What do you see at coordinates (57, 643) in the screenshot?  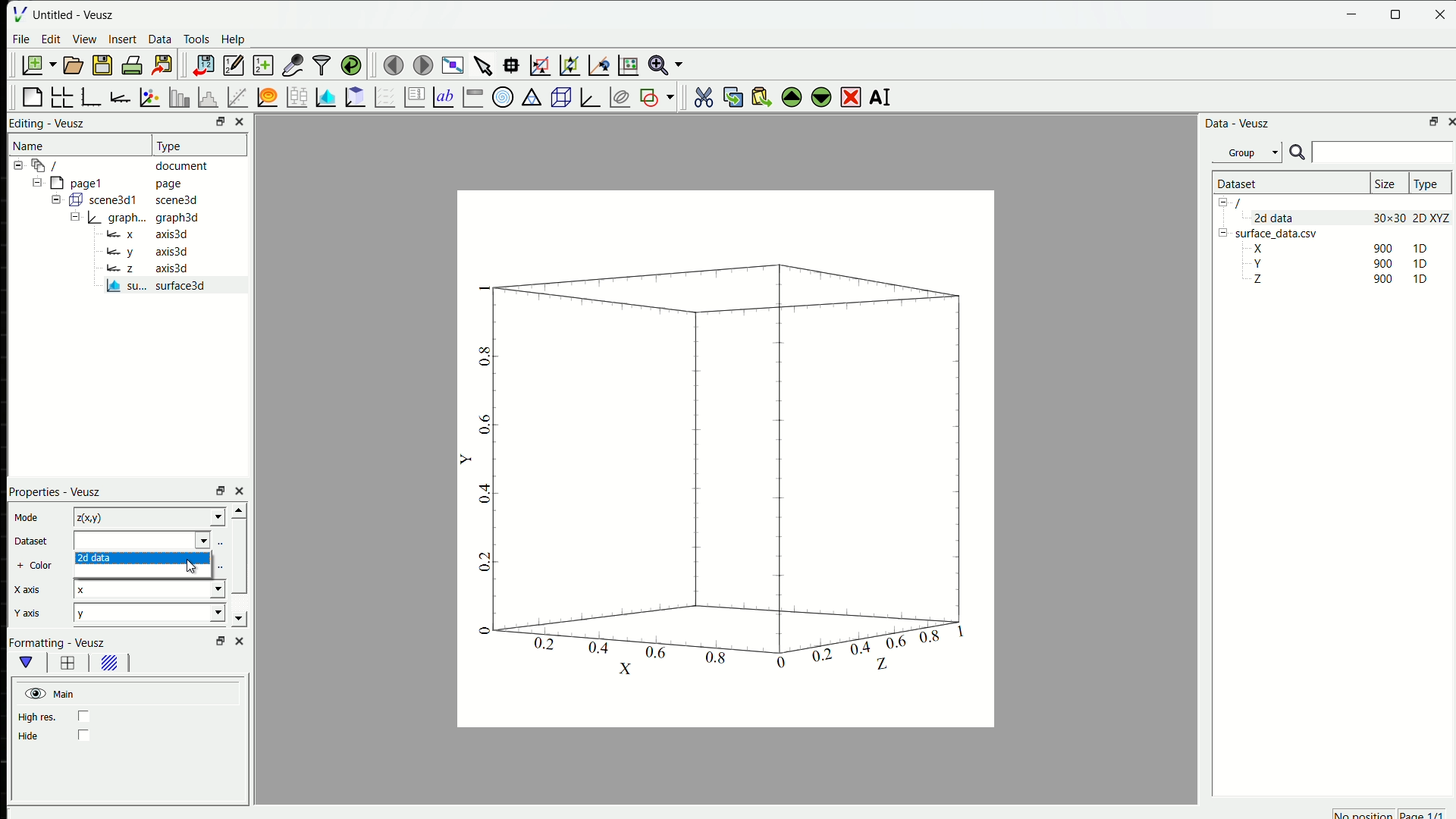 I see `Formatting - Veusz` at bounding box center [57, 643].